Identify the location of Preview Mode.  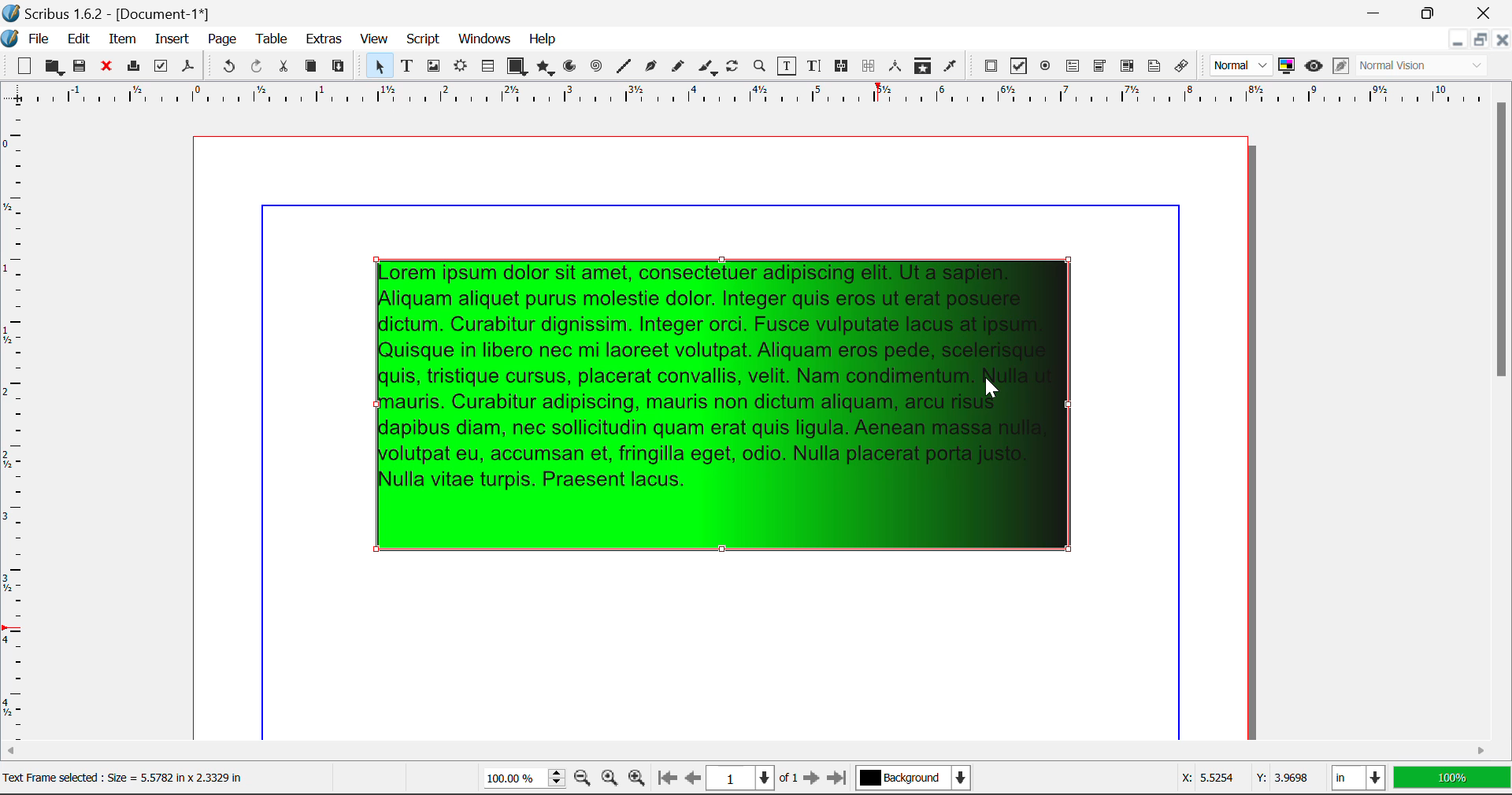
(1241, 65).